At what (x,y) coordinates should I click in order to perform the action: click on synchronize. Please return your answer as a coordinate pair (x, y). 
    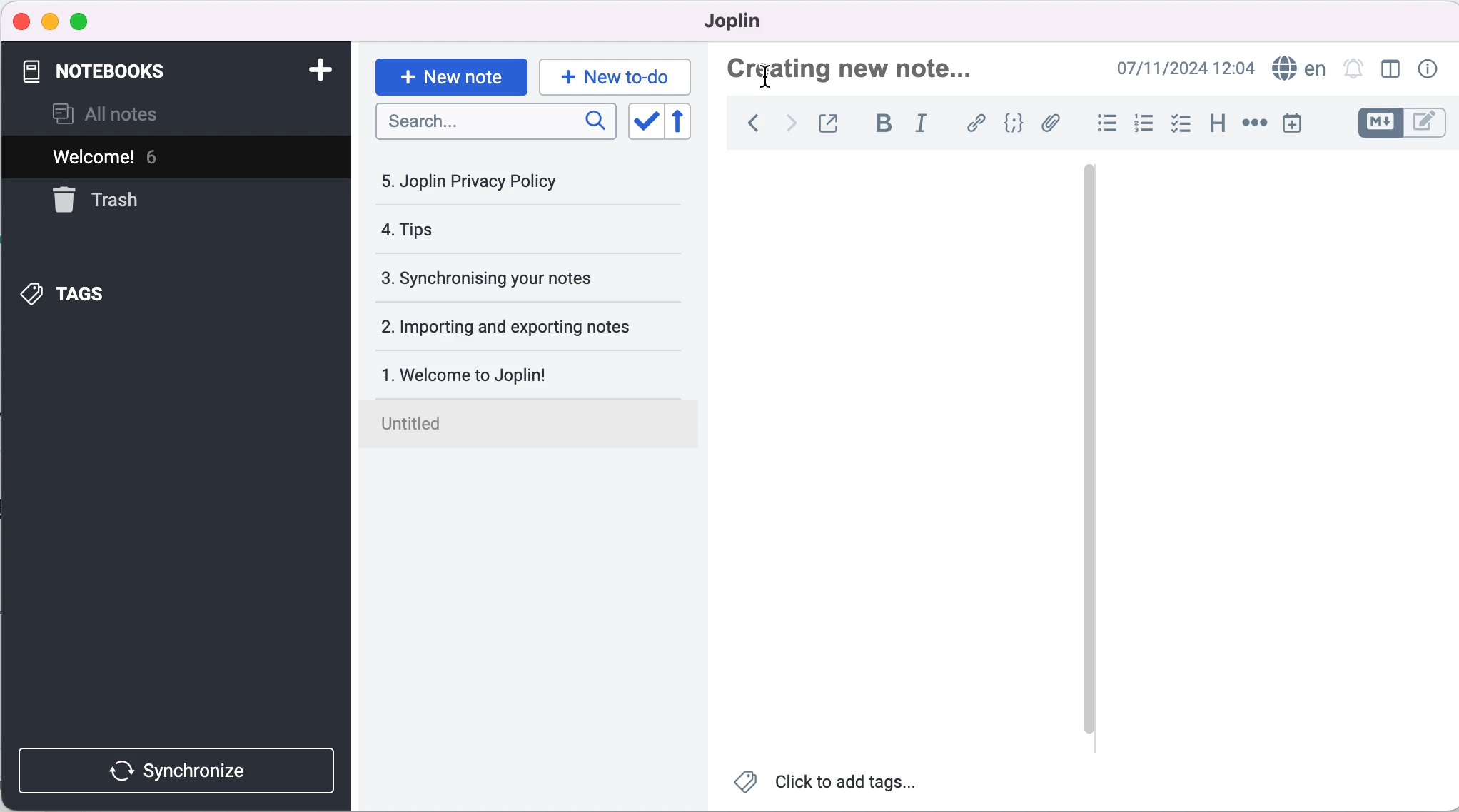
    Looking at the image, I should click on (175, 763).